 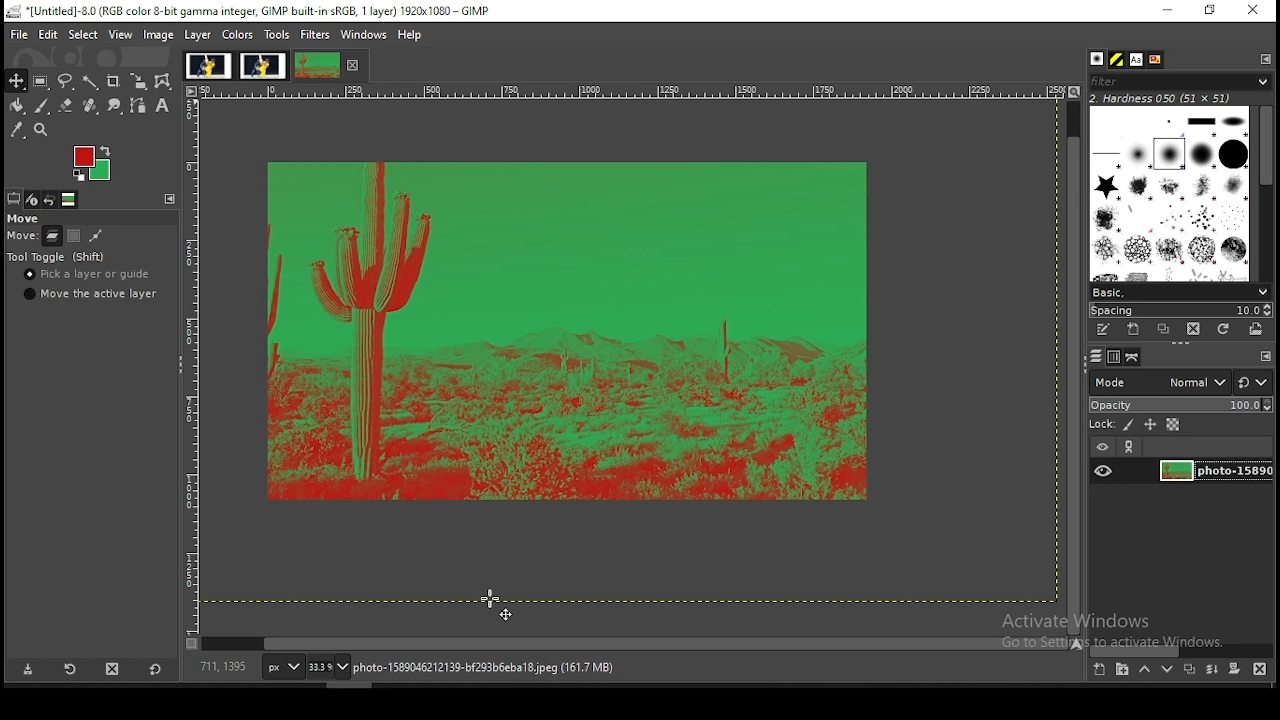 What do you see at coordinates (316, 37) in the screenshot?
I see `filters` at bounding box center [316, 37].